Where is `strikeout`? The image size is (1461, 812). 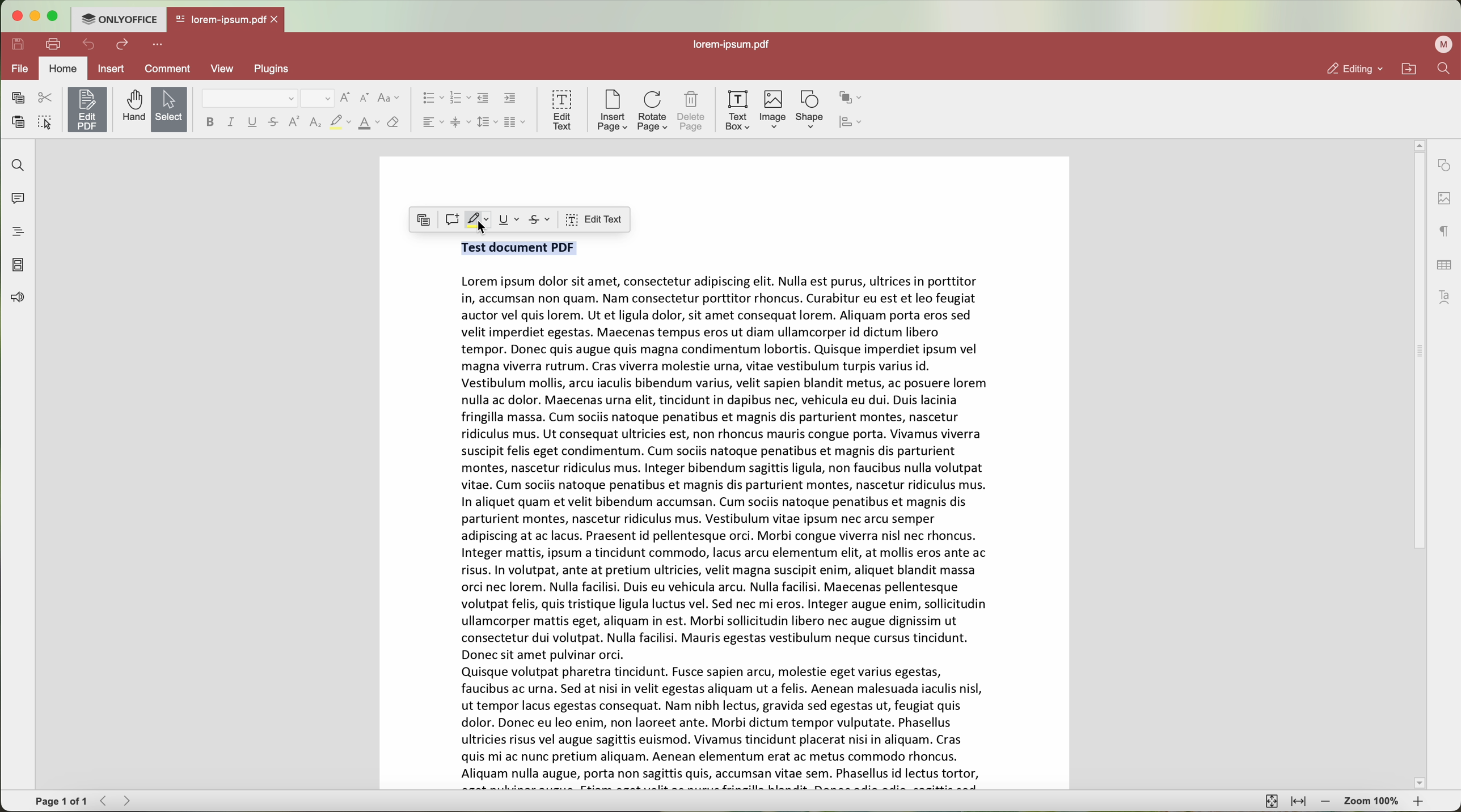 strikeout is located at coordinates (543, 219).